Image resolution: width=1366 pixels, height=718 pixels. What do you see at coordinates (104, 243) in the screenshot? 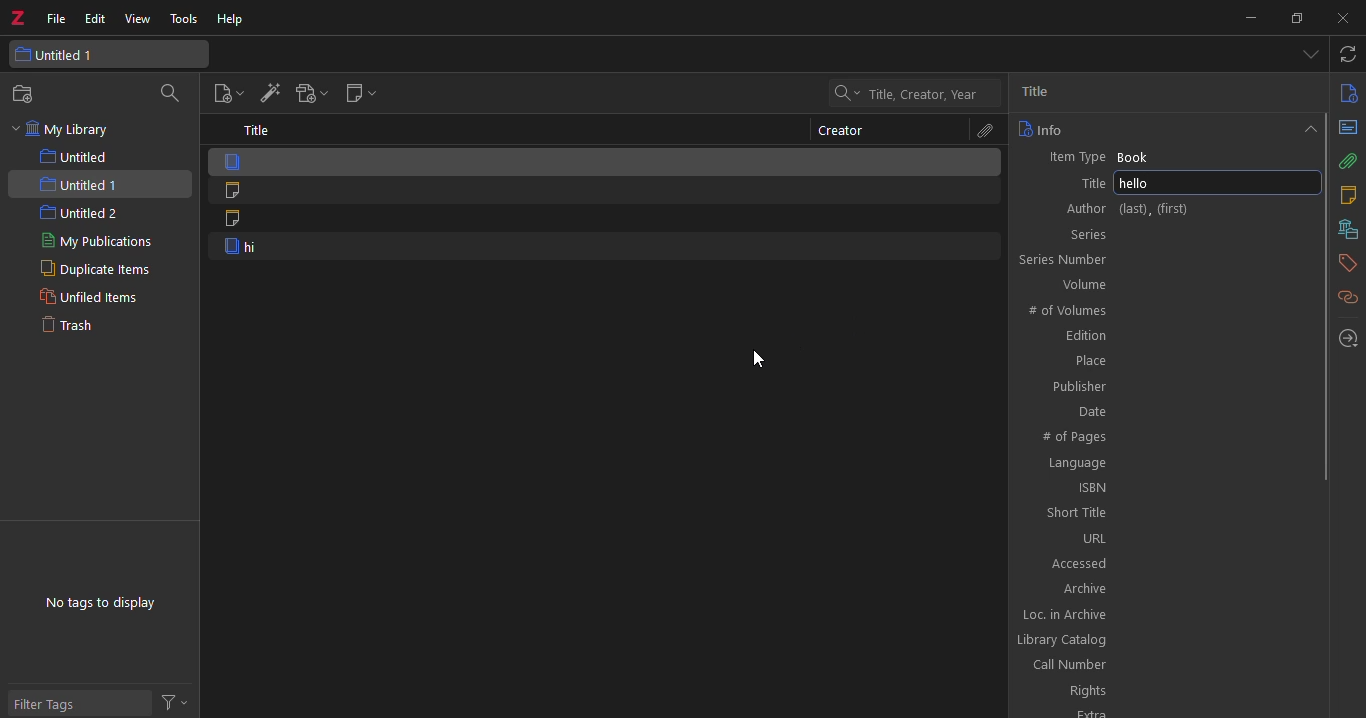
I see `my publications` at bounding box center [104, 243].